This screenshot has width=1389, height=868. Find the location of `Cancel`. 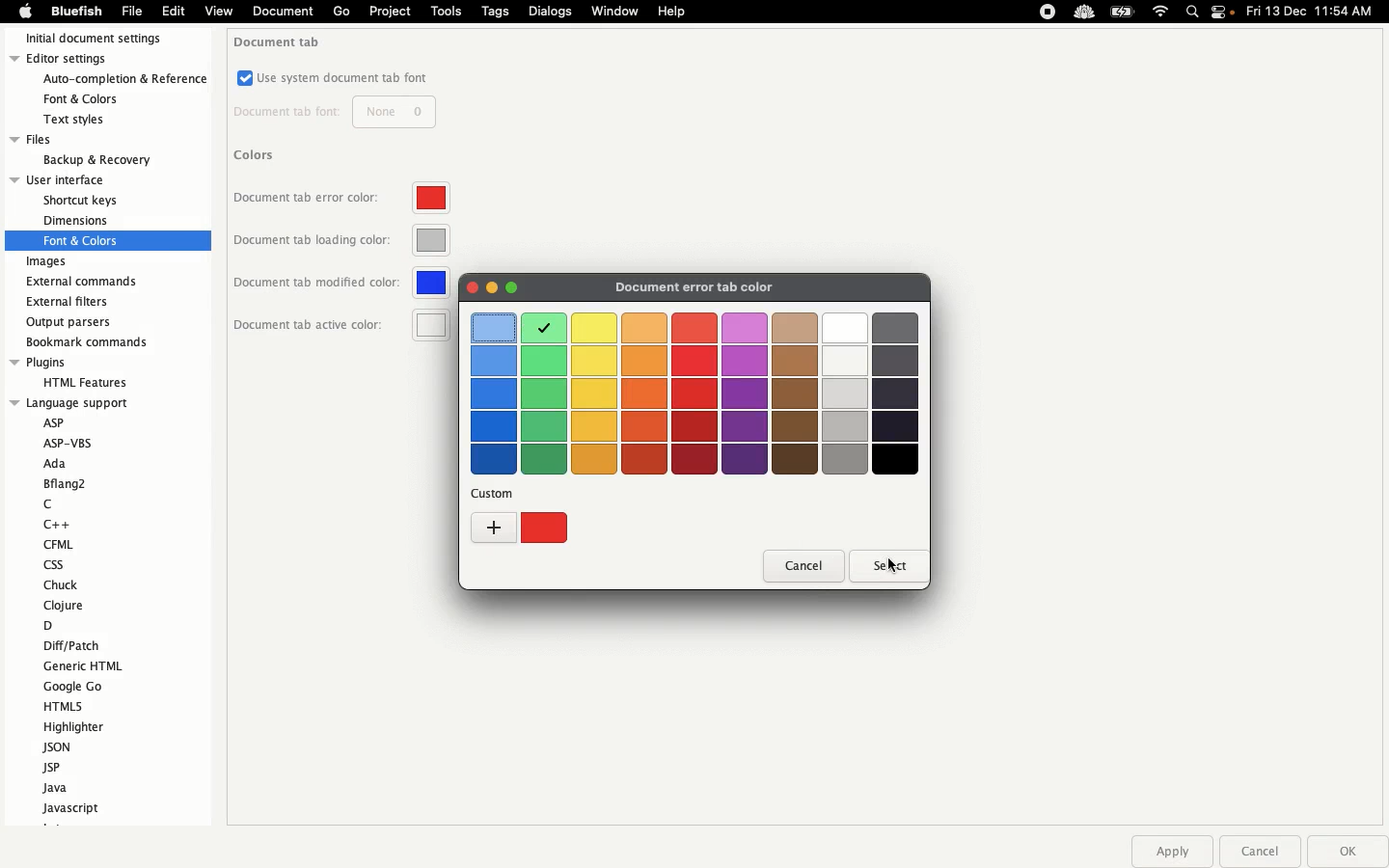

Cancel is located at coordinates (803, 567).